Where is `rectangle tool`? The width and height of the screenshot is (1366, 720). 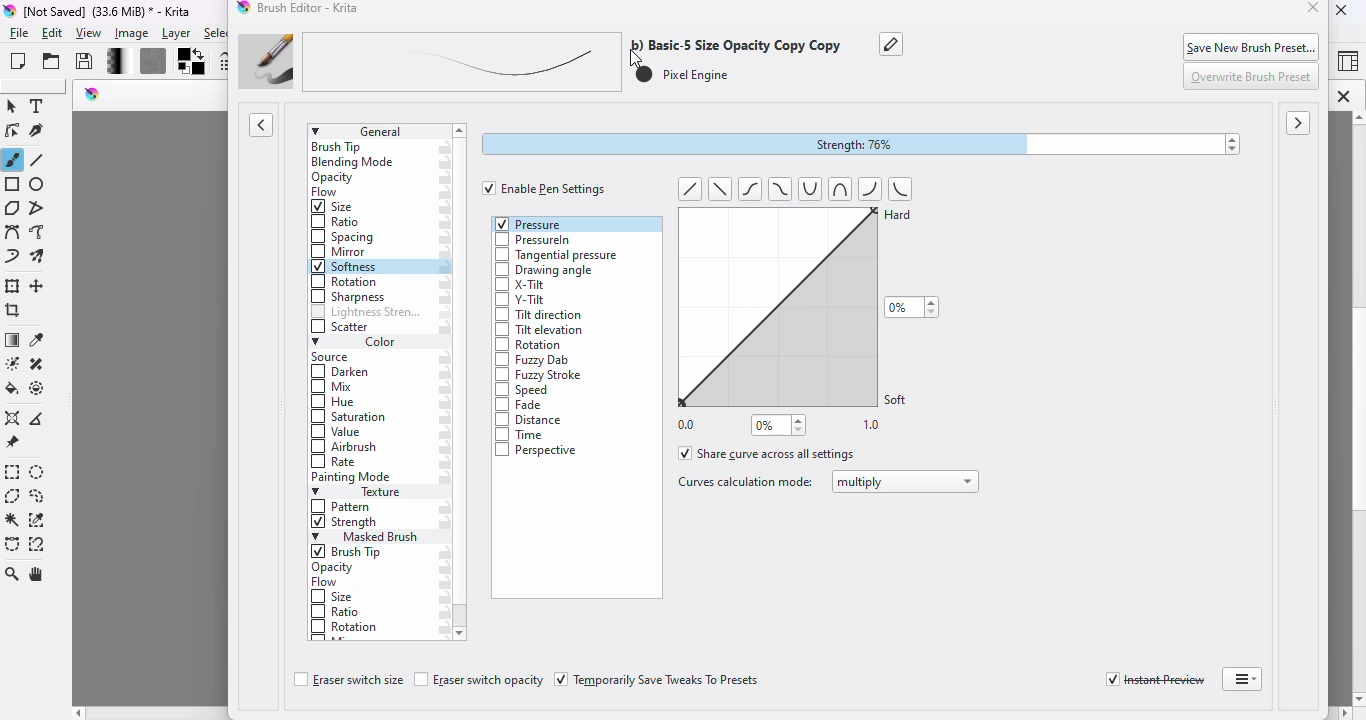 rectangle tool is located at coordinates (12, 184).